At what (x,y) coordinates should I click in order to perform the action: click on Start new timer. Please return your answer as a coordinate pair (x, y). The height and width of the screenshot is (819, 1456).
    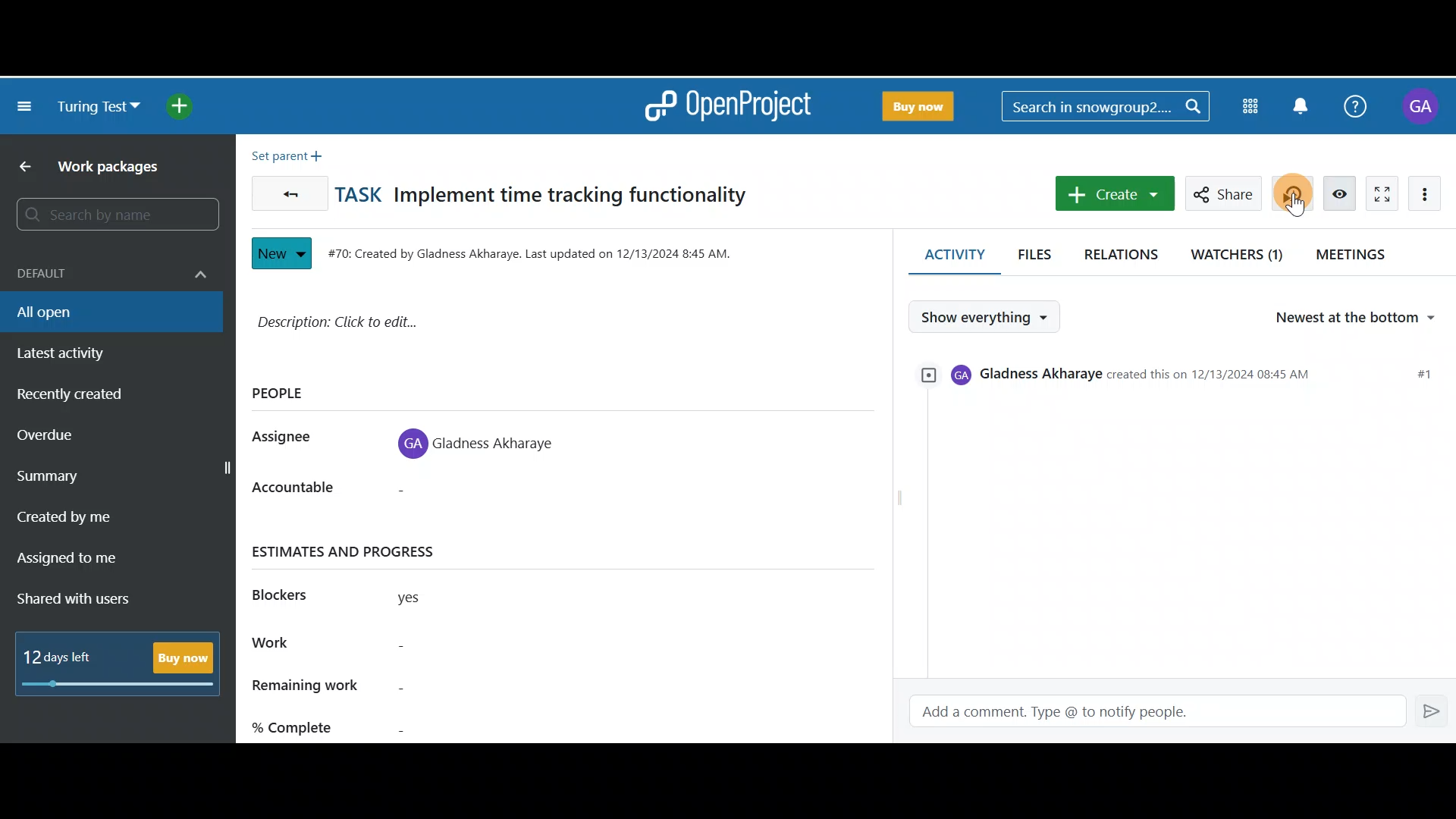
    Looking at the image, I should click on (1292, 193).